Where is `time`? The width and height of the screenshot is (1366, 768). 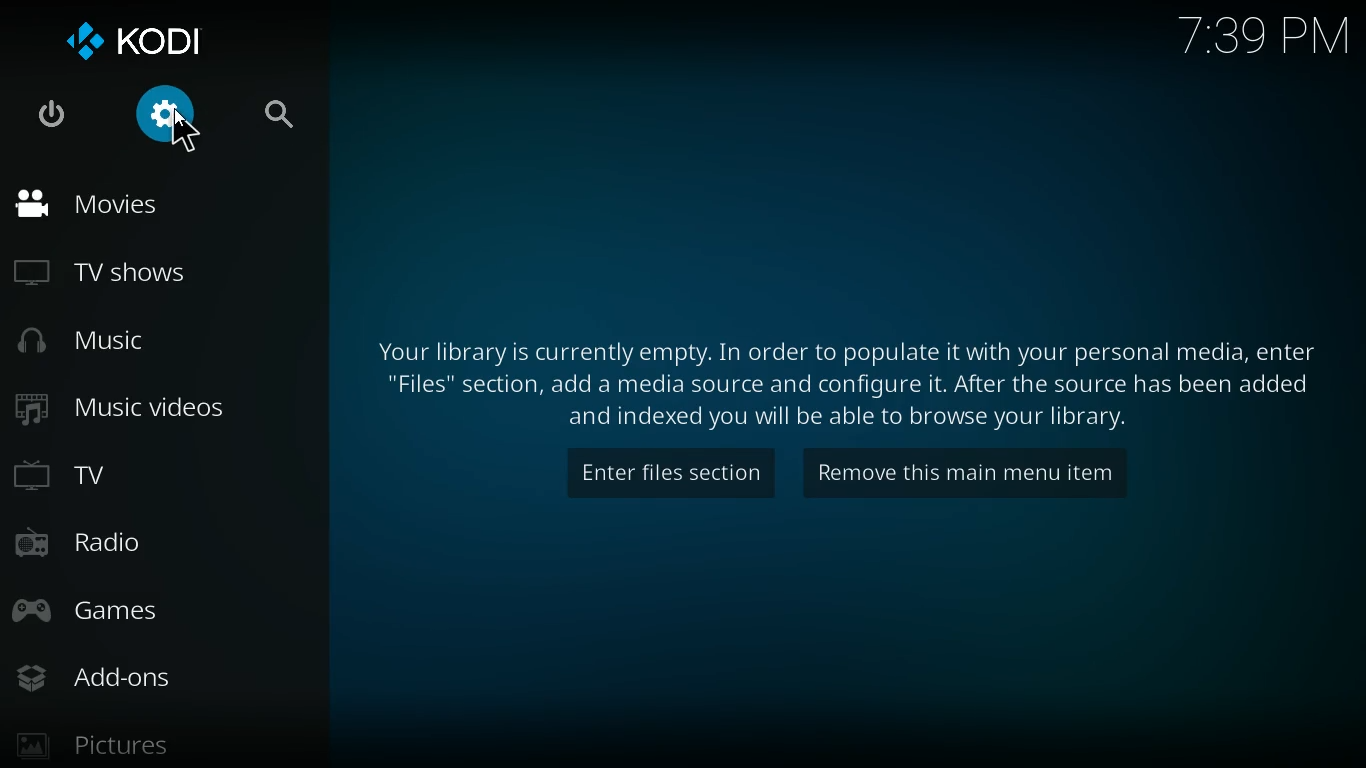 time is located at coordinates (1252, 42).